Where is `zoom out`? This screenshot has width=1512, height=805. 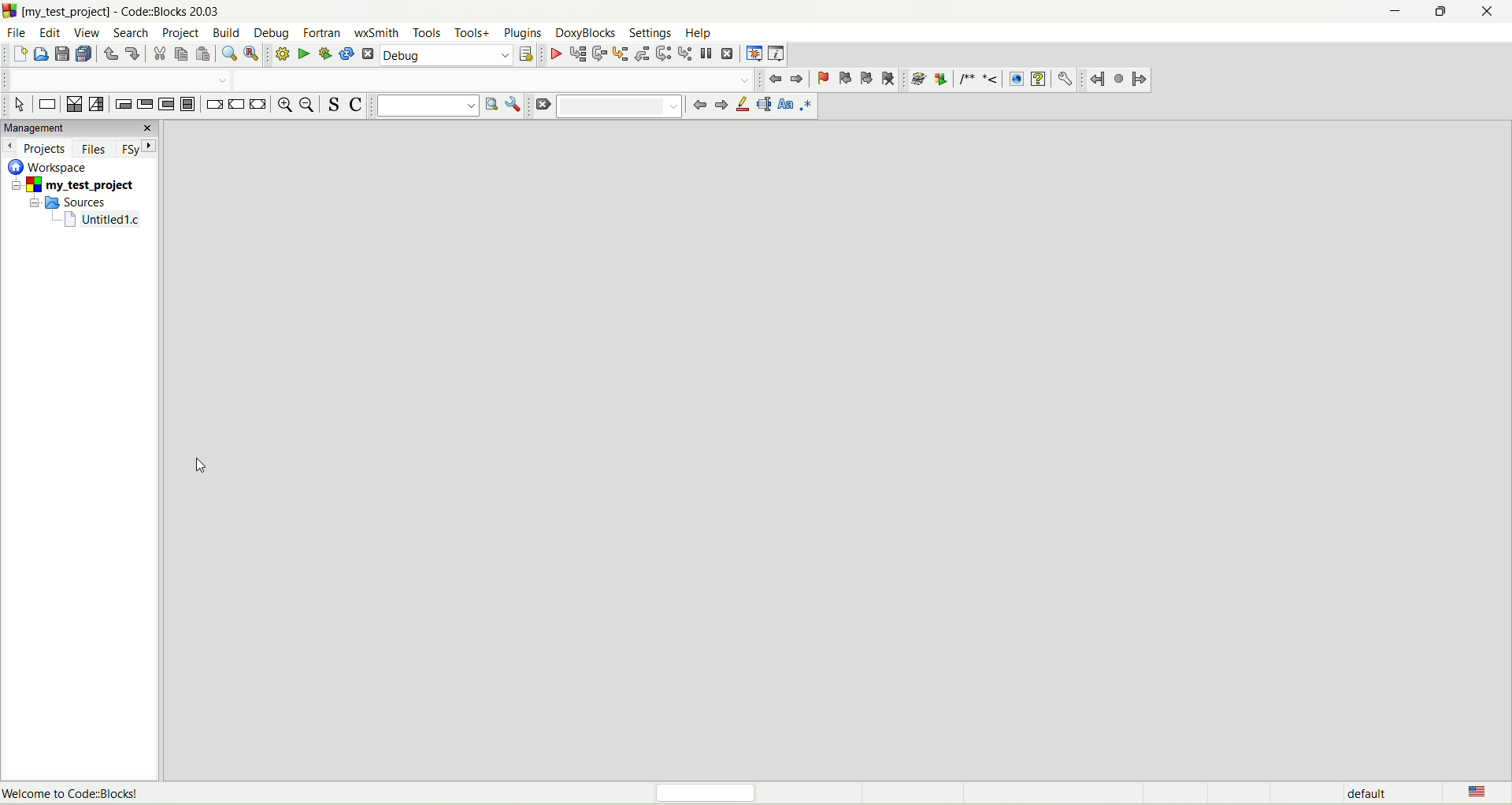
zoom out is located at coordinates (309, 105).